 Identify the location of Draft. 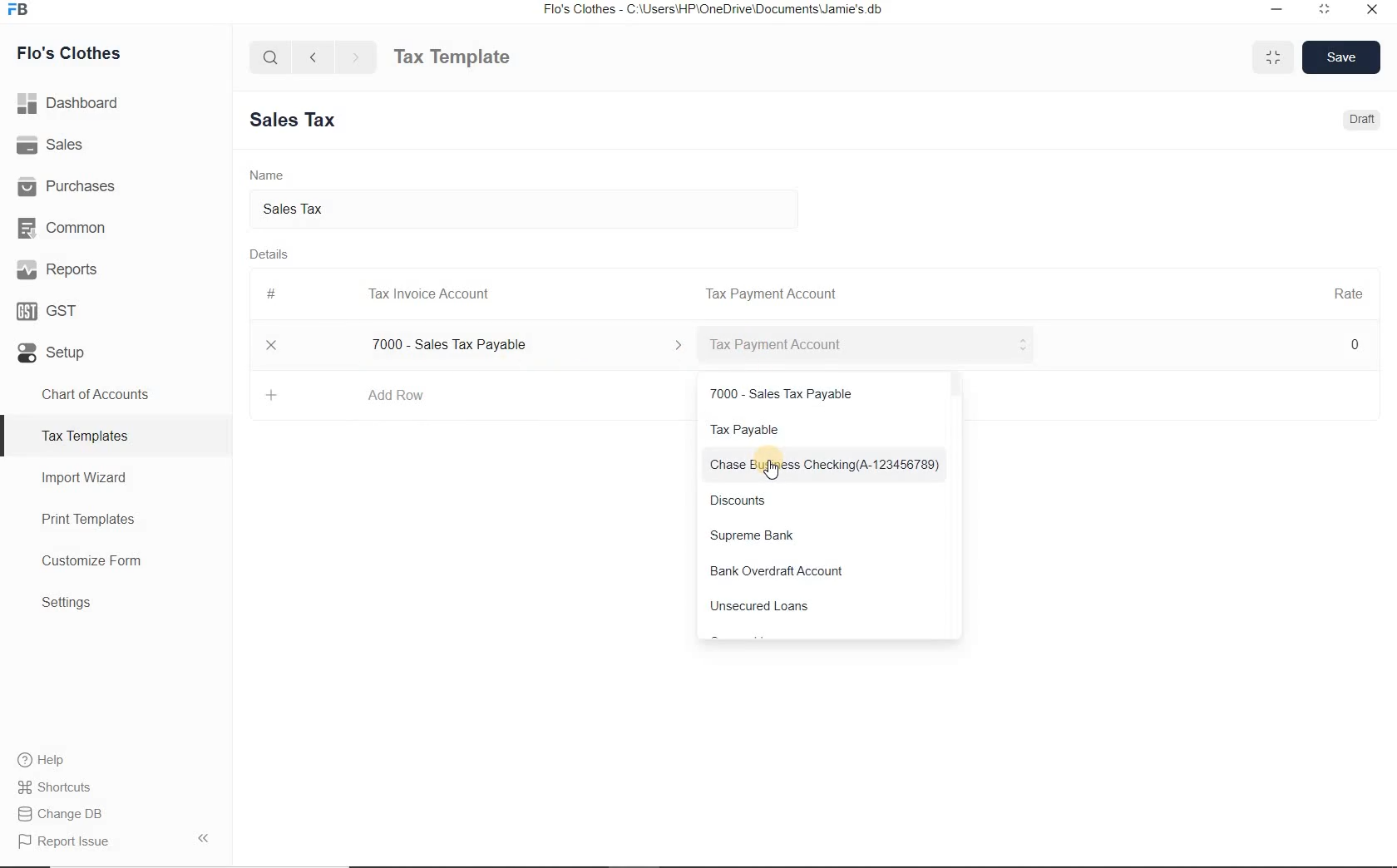
(1364, 119).